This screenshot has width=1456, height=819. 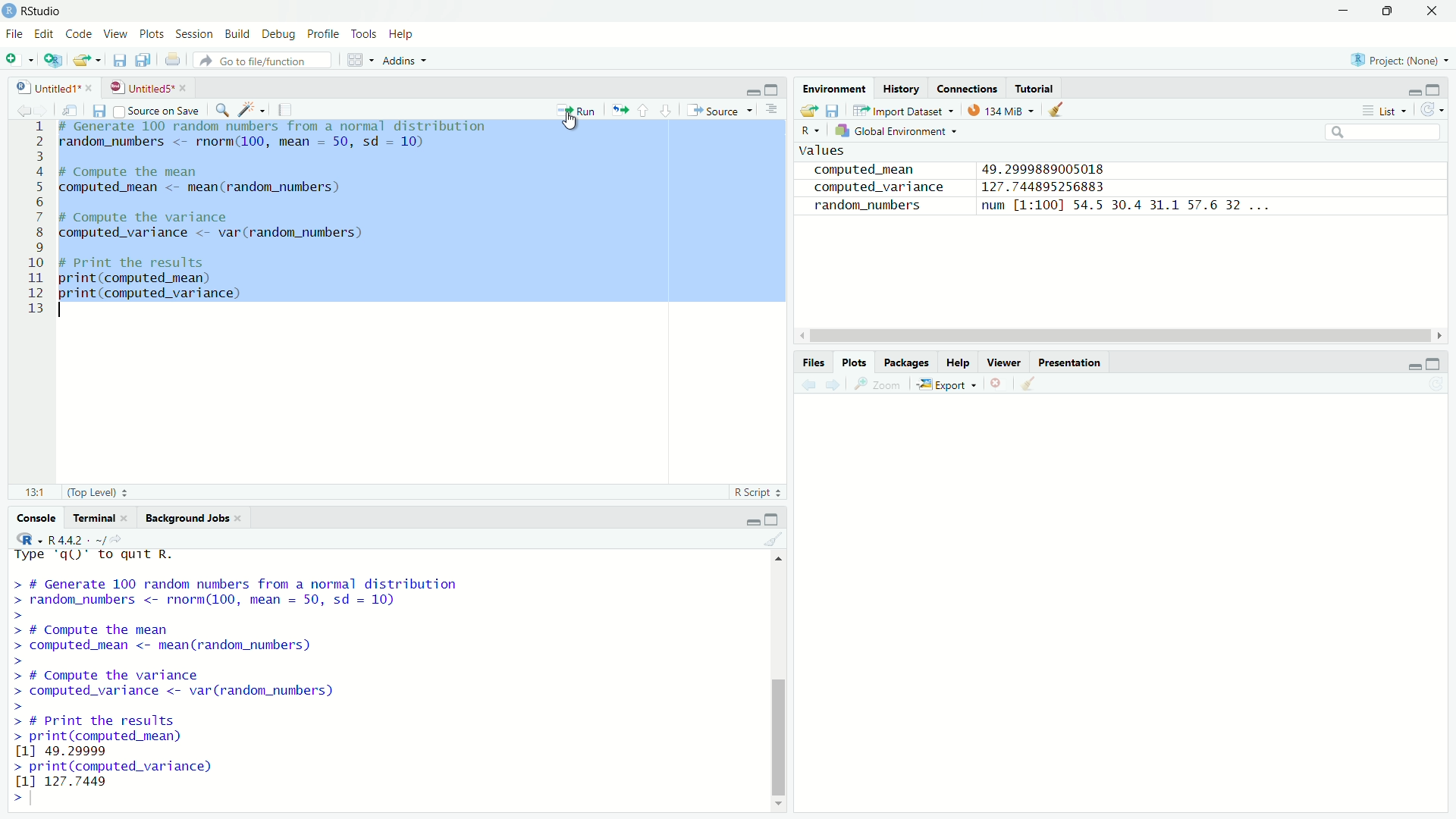 What do you see at coordinates (166, 216) in the screenshot?
I see `# Compute the variance` at bounding box center [166, 216].